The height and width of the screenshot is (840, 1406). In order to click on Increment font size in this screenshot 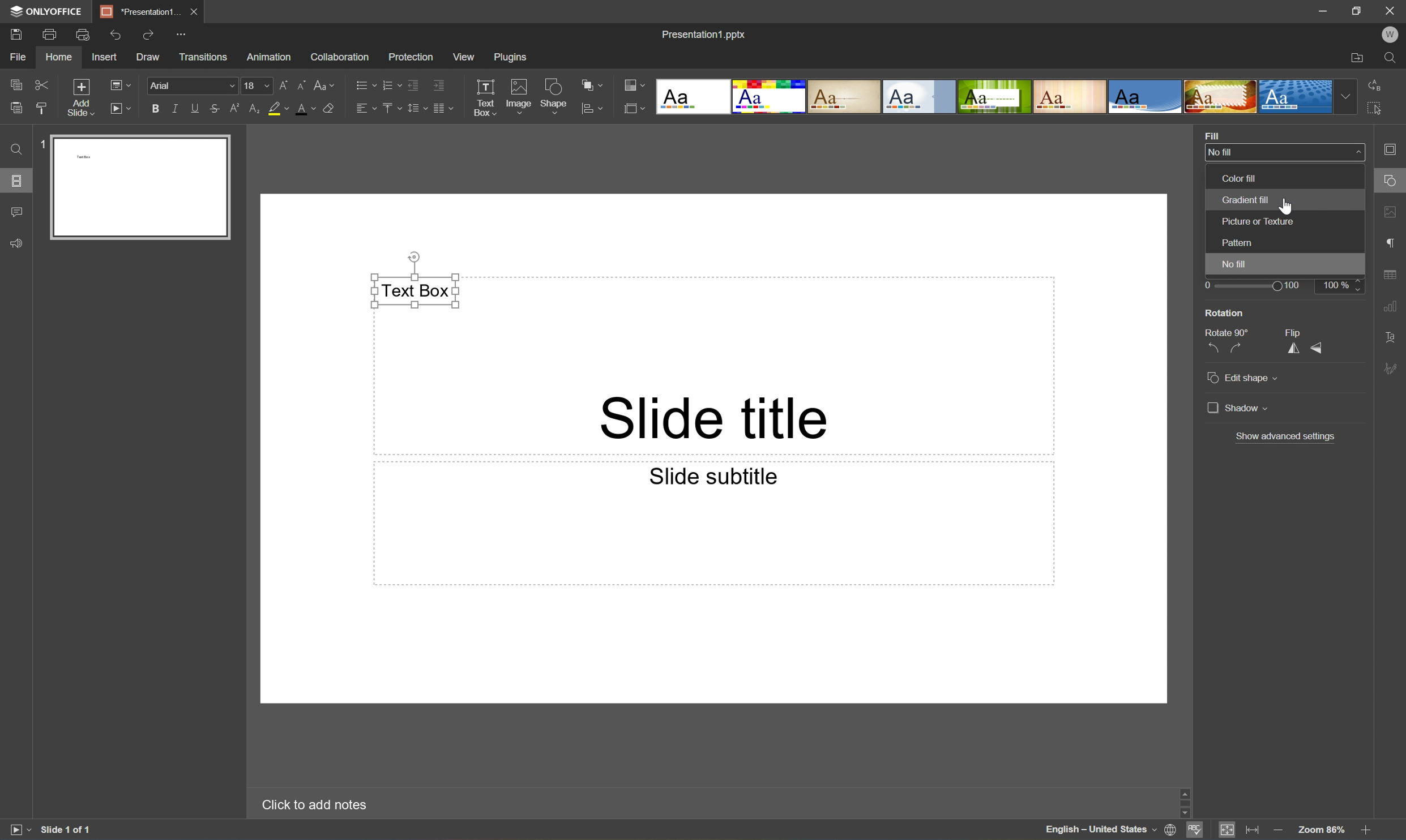, I will do `click(282, 86)`.